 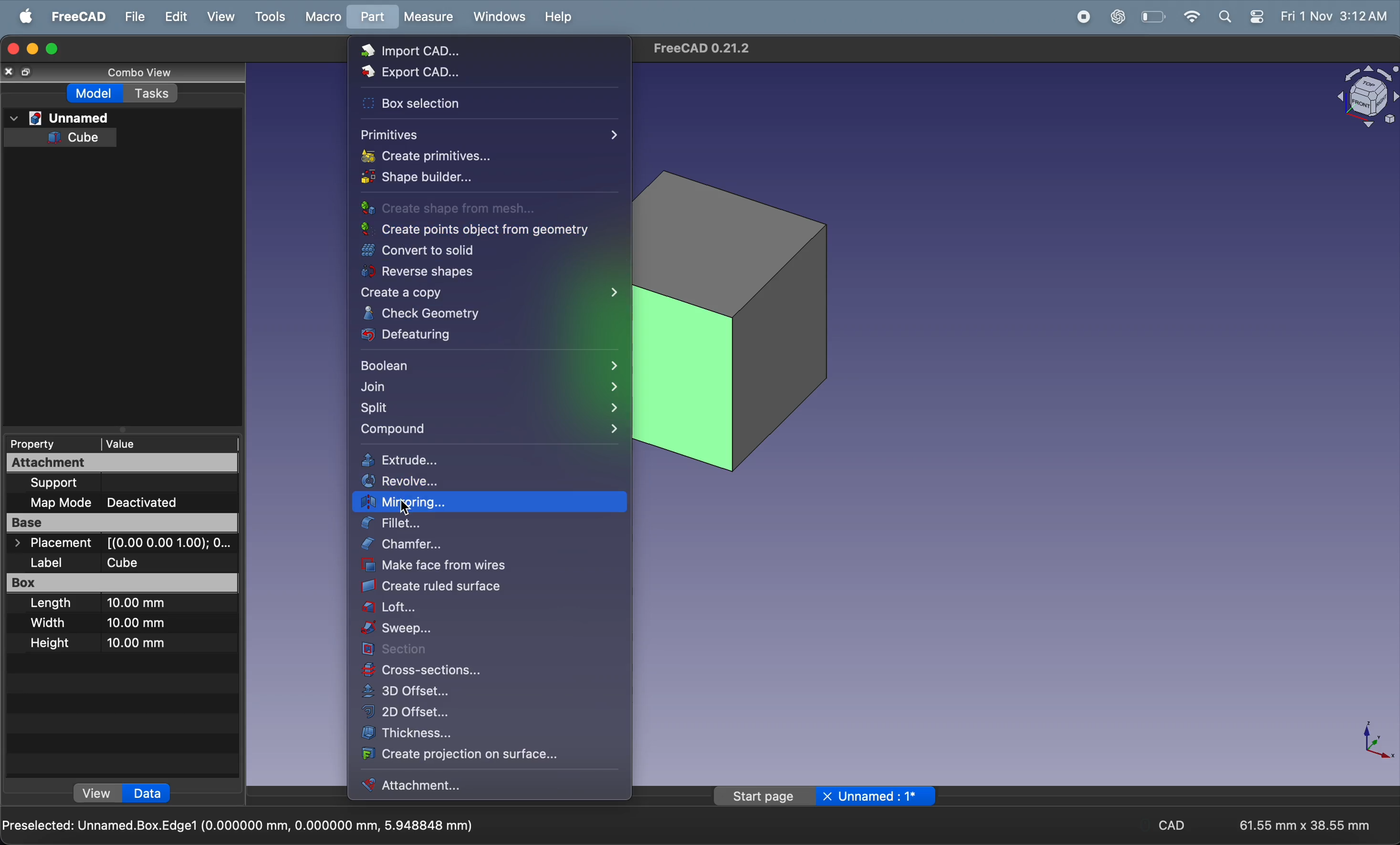 I want to click on primitives, so click(x=489, y=134).